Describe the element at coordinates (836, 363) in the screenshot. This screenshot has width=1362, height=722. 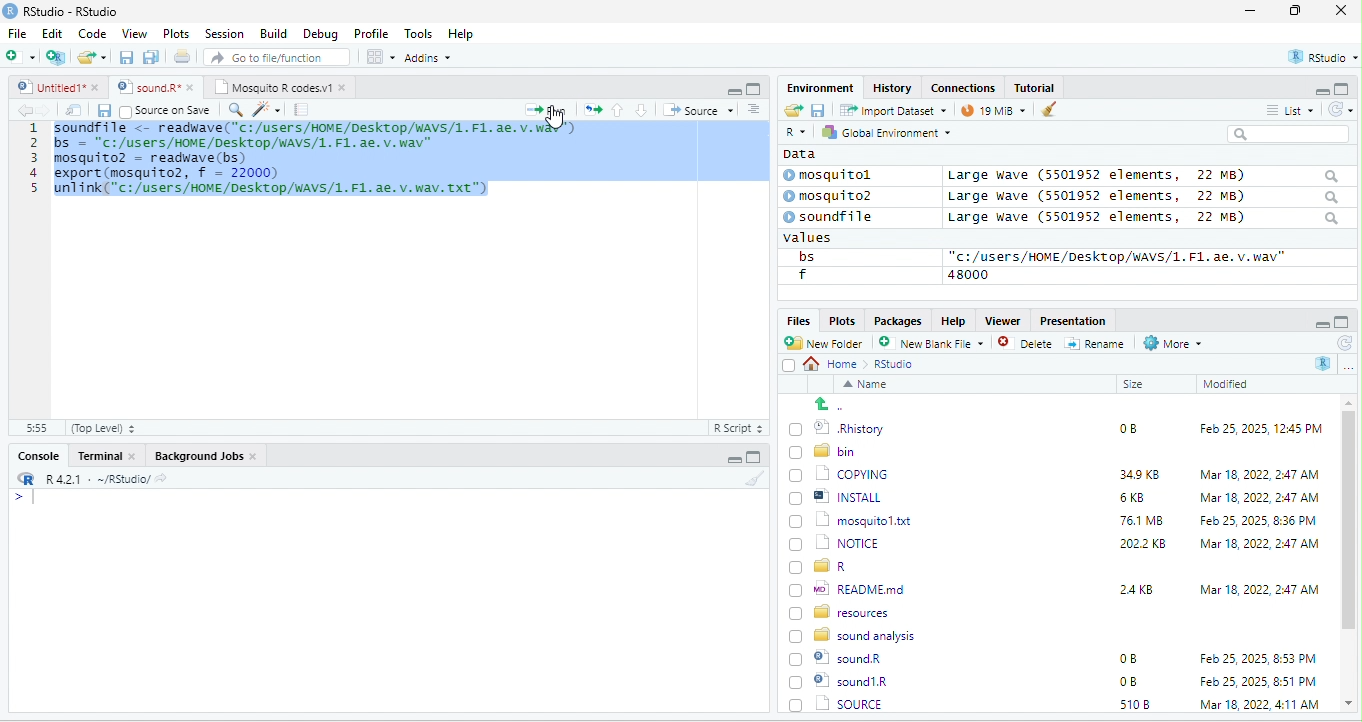
I see ` Home` at that location.